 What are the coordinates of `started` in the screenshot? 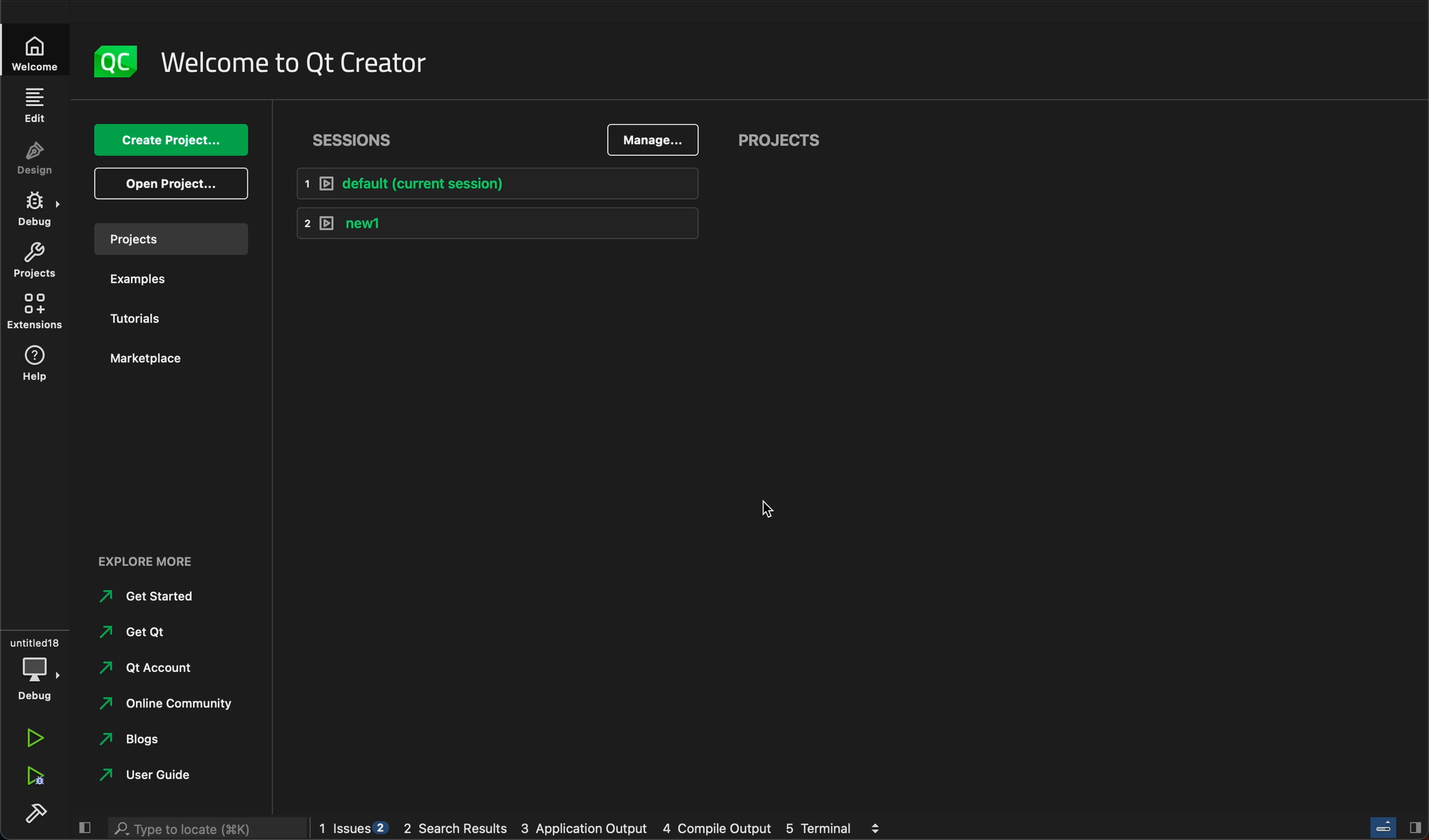 It's located at (153, 596).